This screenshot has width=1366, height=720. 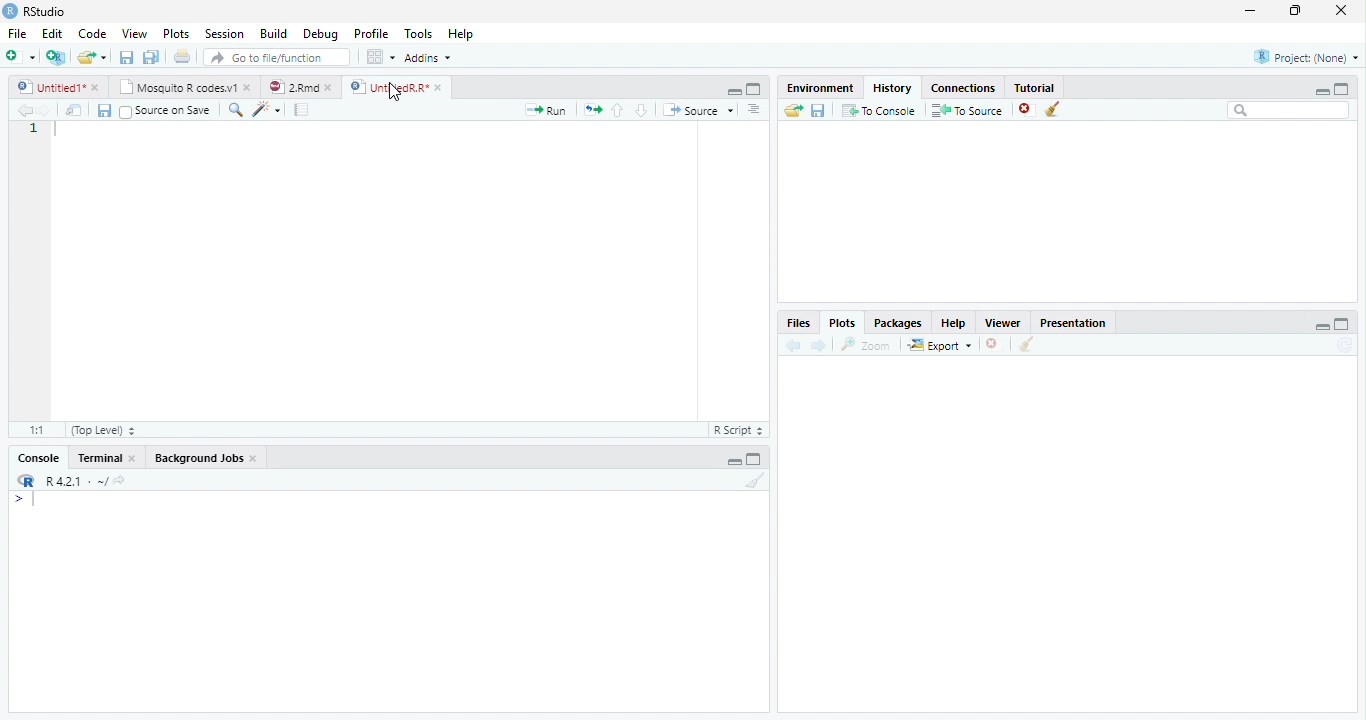 I want to click on Environment, so click(x=820, y=88).